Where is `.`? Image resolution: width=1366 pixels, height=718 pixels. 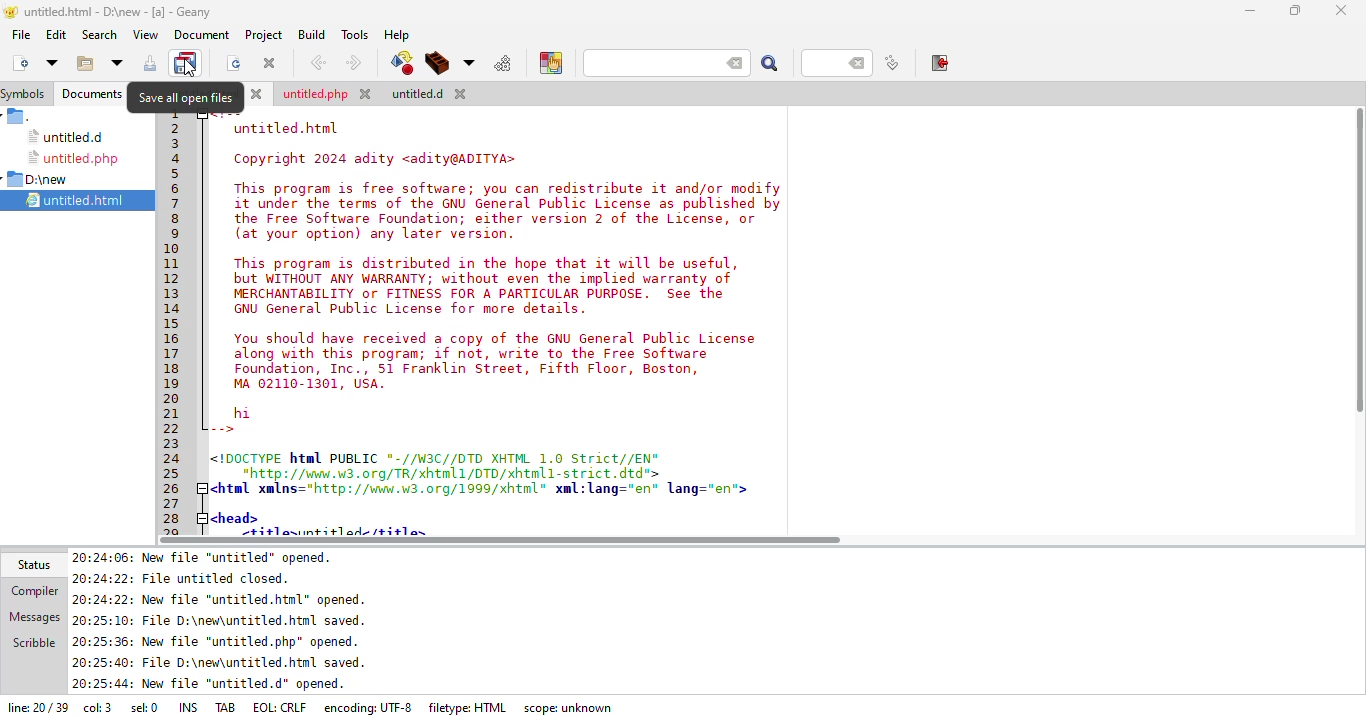
. is located at coordinates (19, 115).